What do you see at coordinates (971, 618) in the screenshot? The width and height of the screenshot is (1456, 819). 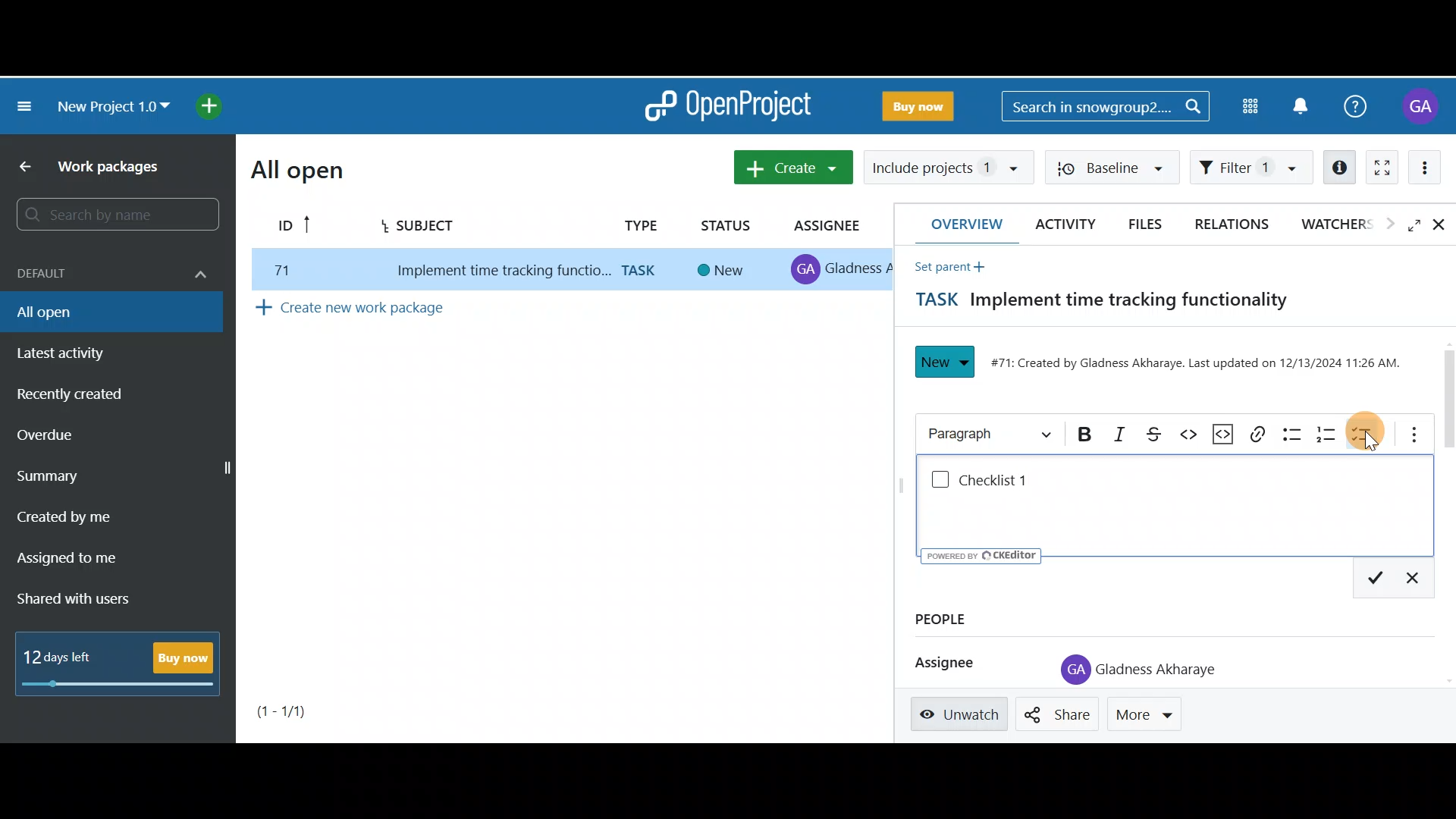 I see `People` at bounding box center [971, 618].